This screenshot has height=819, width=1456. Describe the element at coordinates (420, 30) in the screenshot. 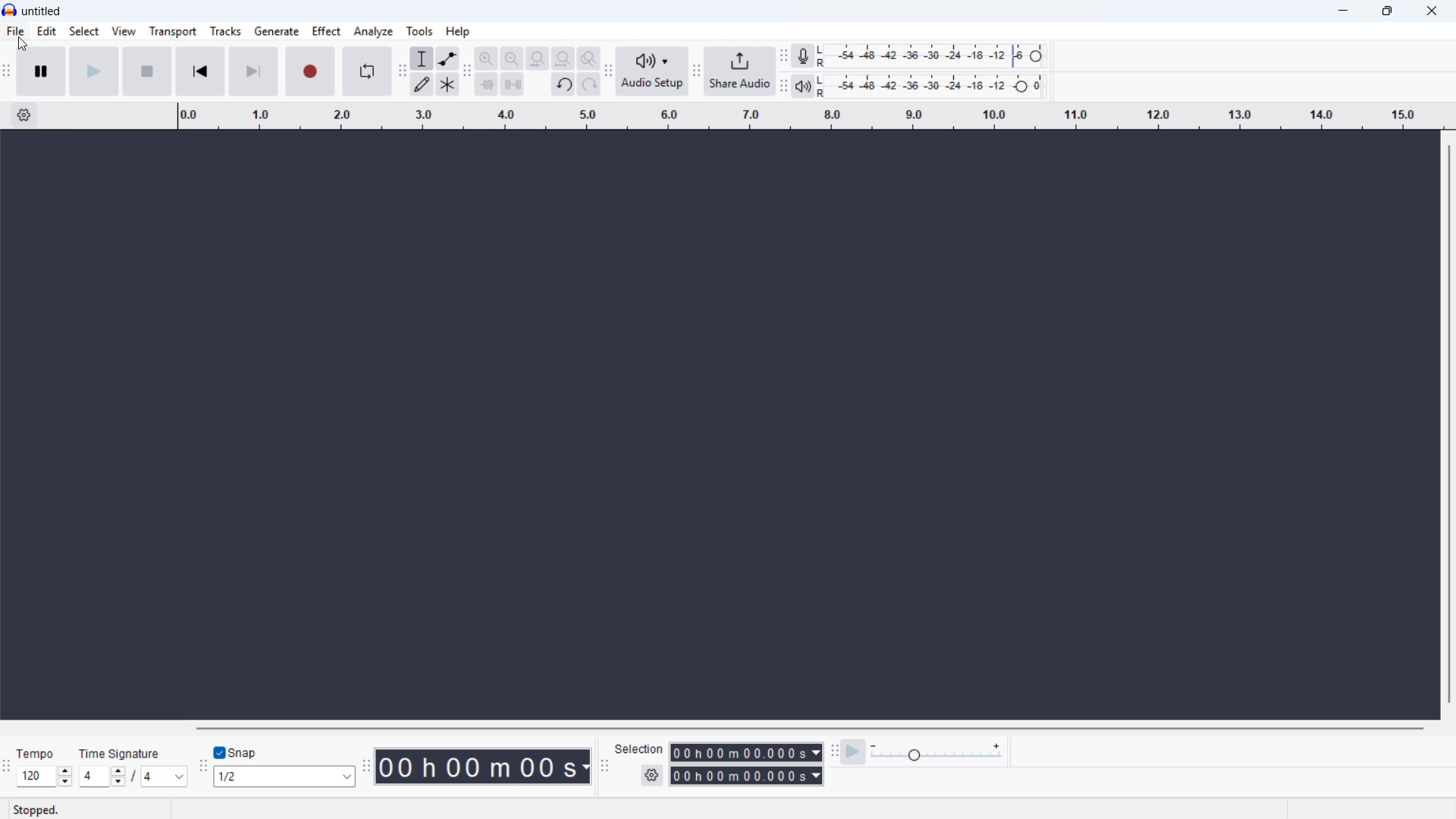

I see `Tools ` at that location.